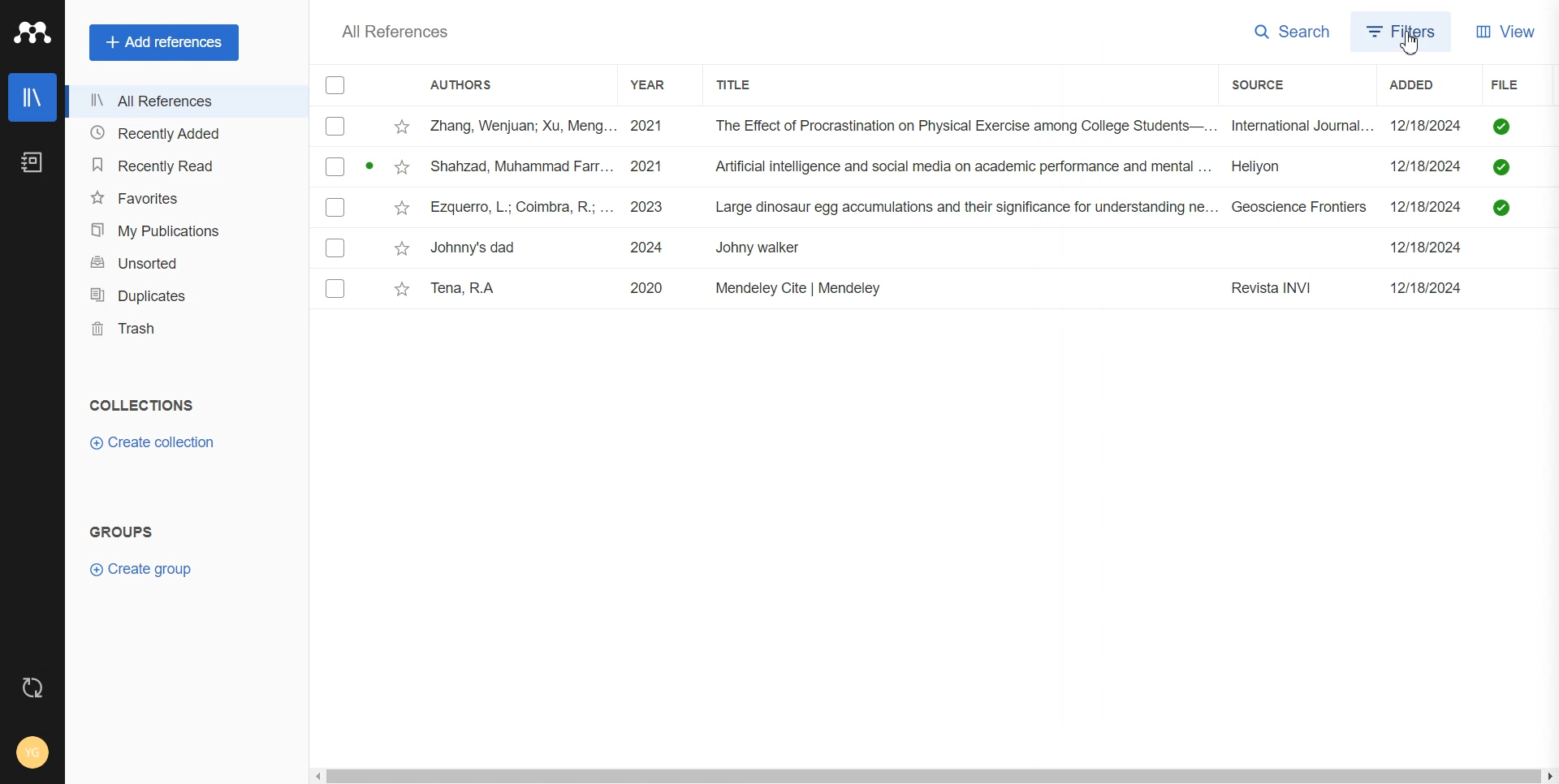 The image size is (1559, 784). Describe the element at coordinates (183, 196) in the screenshot. I see `Favorites` at that location.